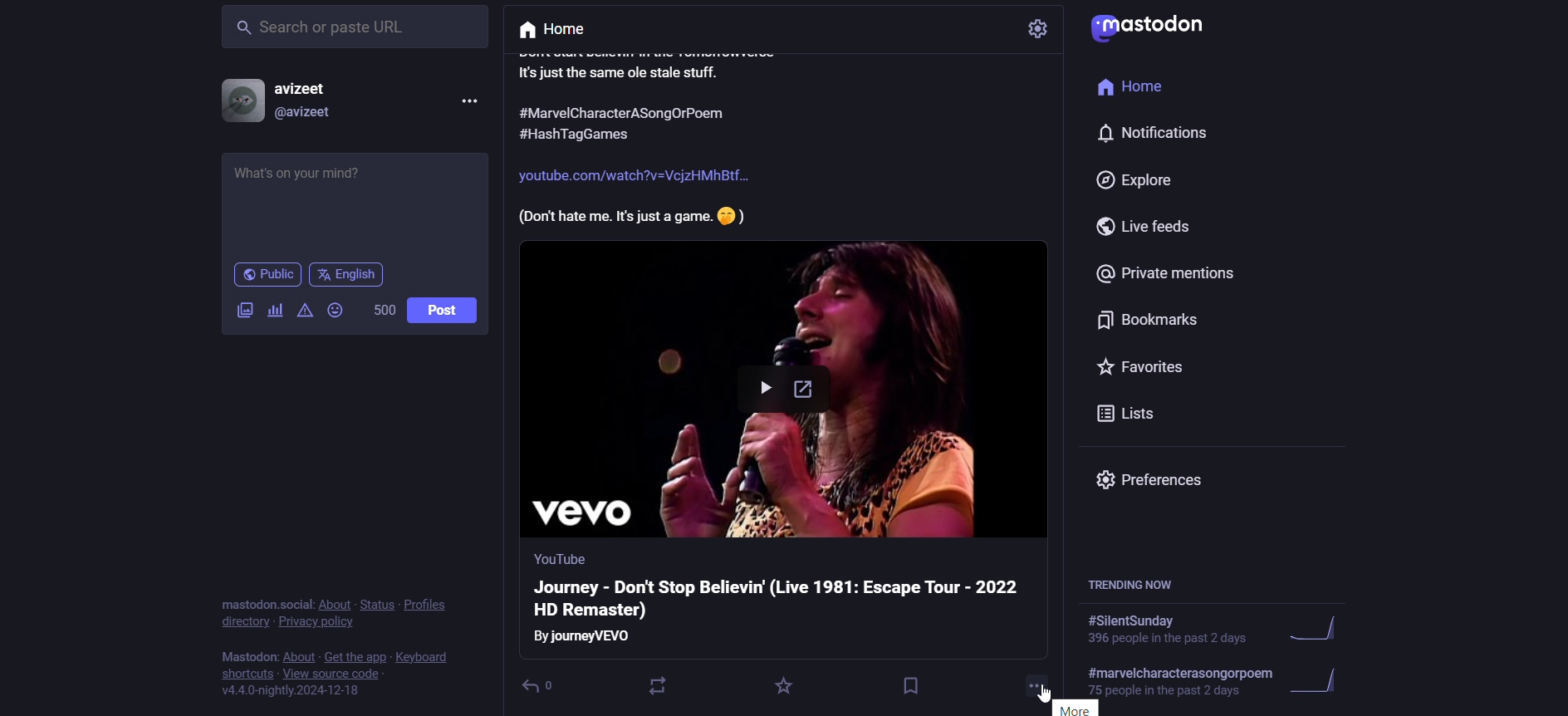  Describe the element at coordinates (1038, 683) in the screenshot. I see `more` at that location.